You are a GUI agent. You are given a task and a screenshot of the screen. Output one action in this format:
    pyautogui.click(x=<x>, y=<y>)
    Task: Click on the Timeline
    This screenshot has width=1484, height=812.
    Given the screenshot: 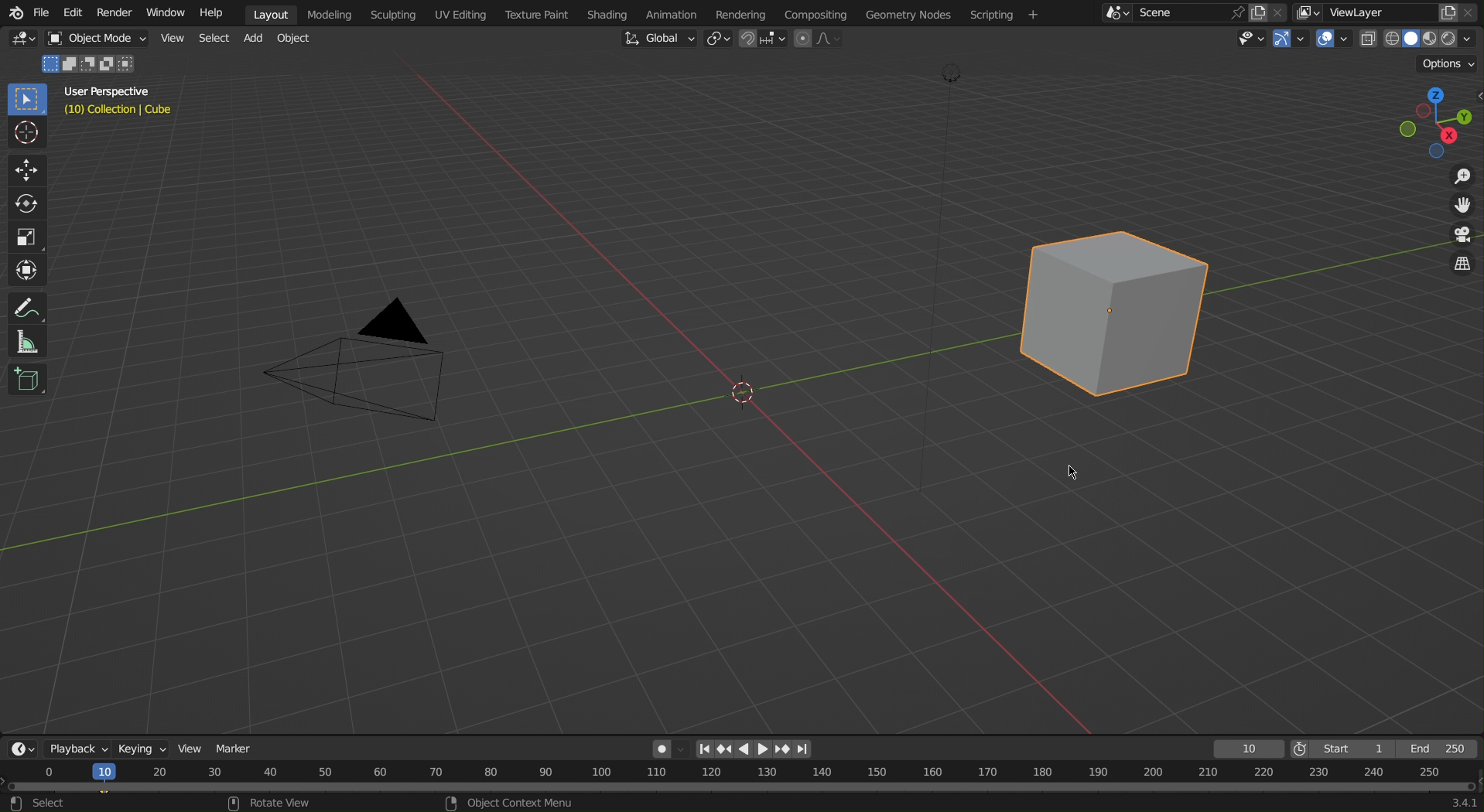 What is the action you would take?
    pyautogui.click(x=743, y=787)
    